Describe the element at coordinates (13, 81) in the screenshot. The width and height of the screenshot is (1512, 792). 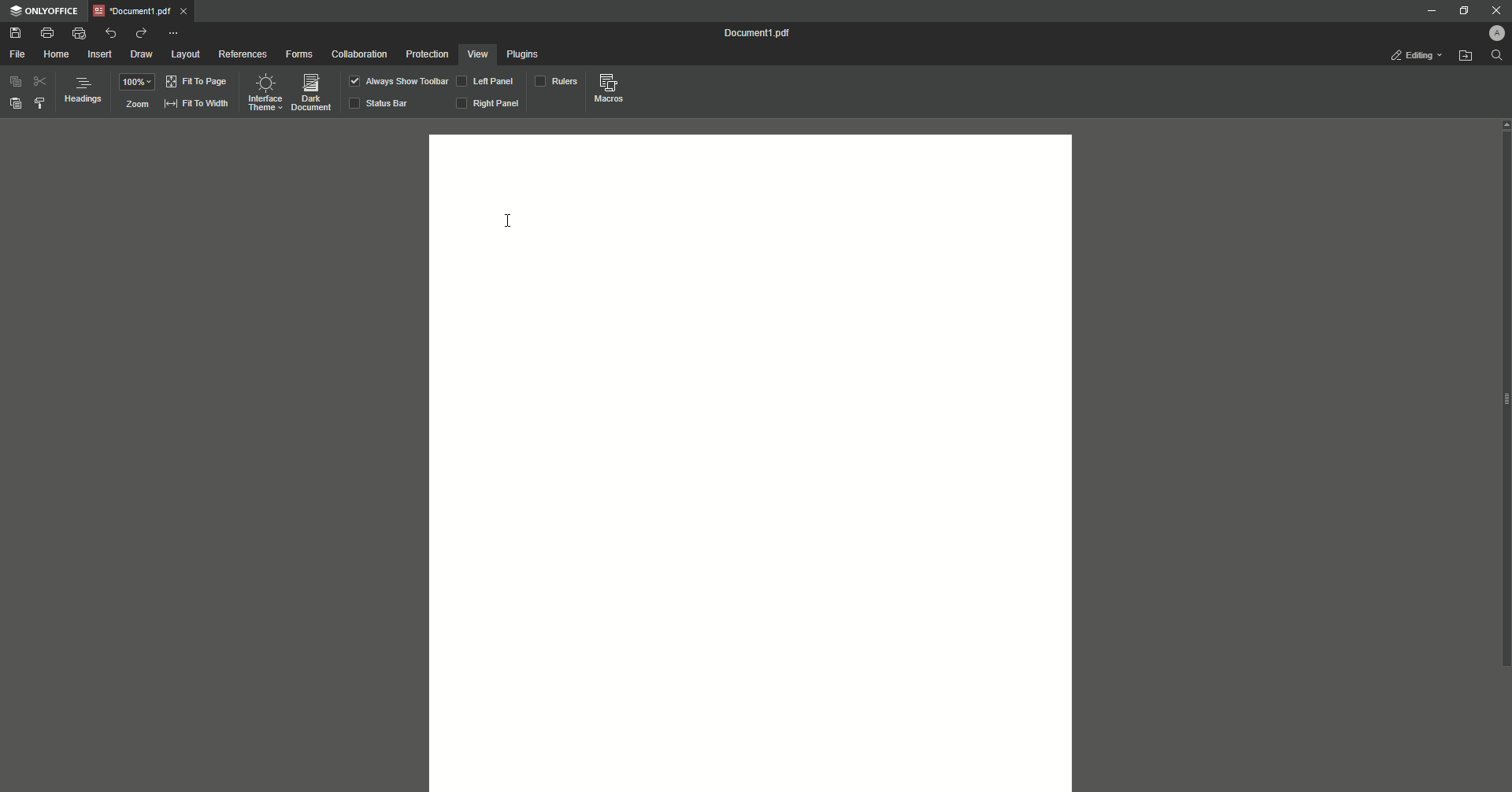
I see `Copy` at that location.